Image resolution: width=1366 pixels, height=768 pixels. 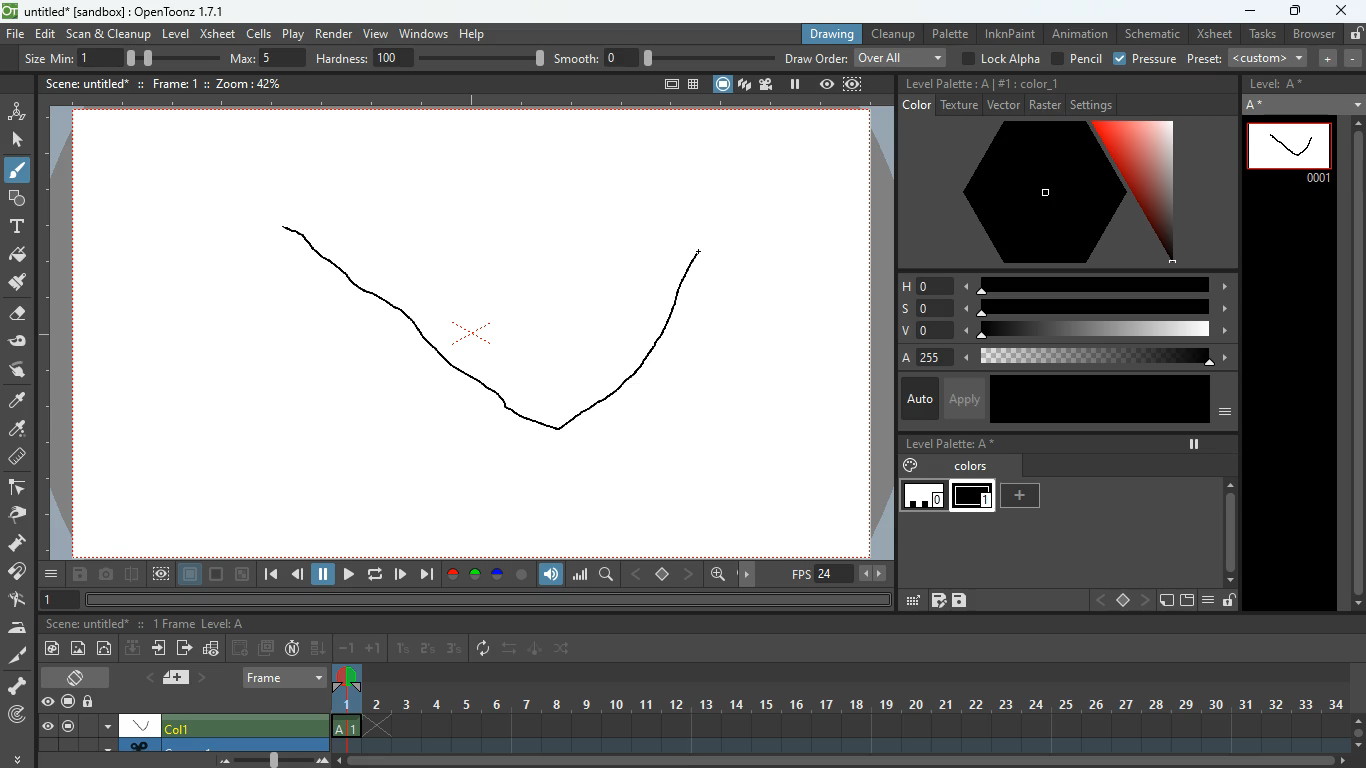 I want to click on level palette, so click(x=950, y=443).